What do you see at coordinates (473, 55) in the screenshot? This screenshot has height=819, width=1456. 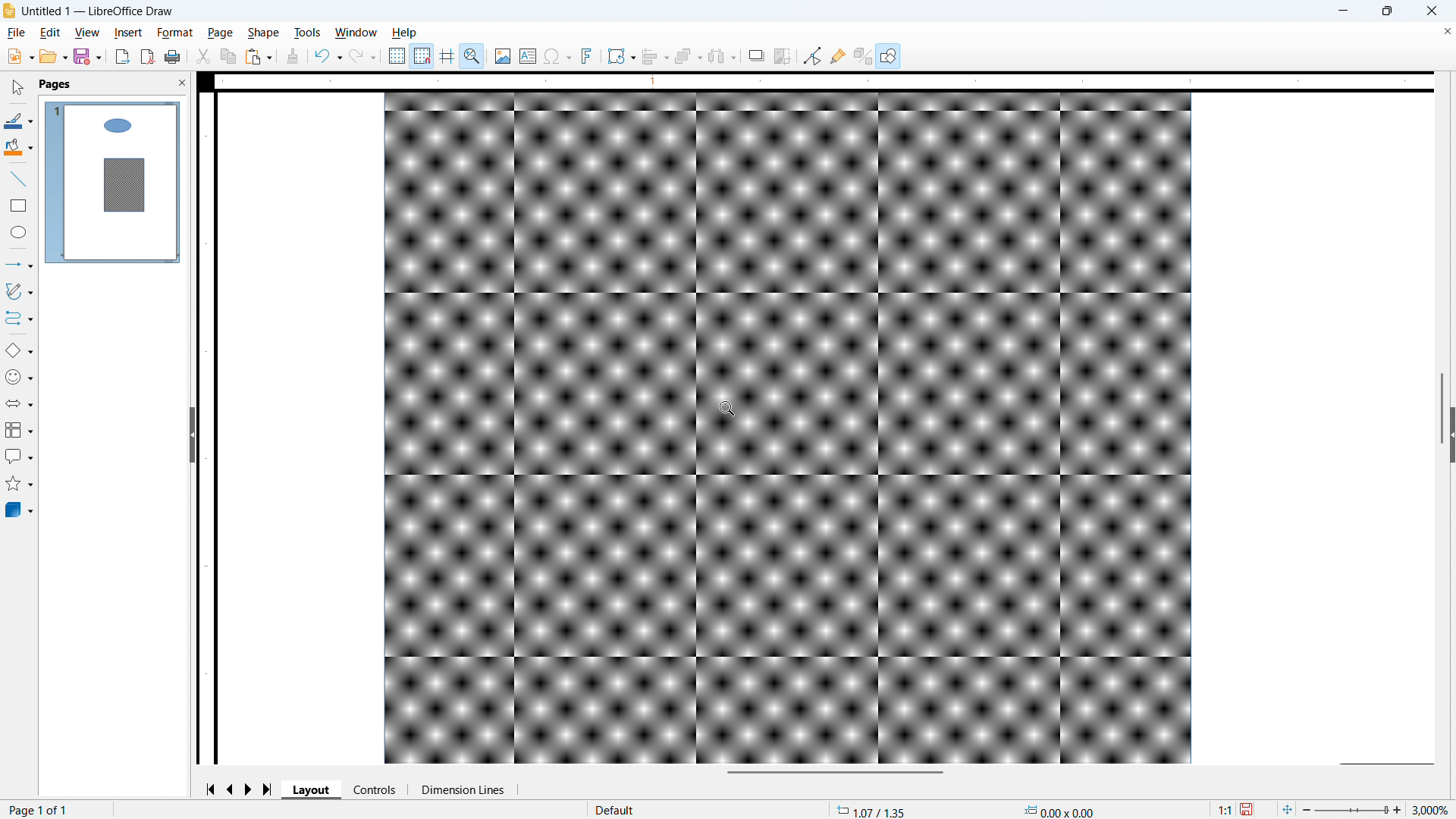 I see `Zoom ` at bounding box center [473, 55].